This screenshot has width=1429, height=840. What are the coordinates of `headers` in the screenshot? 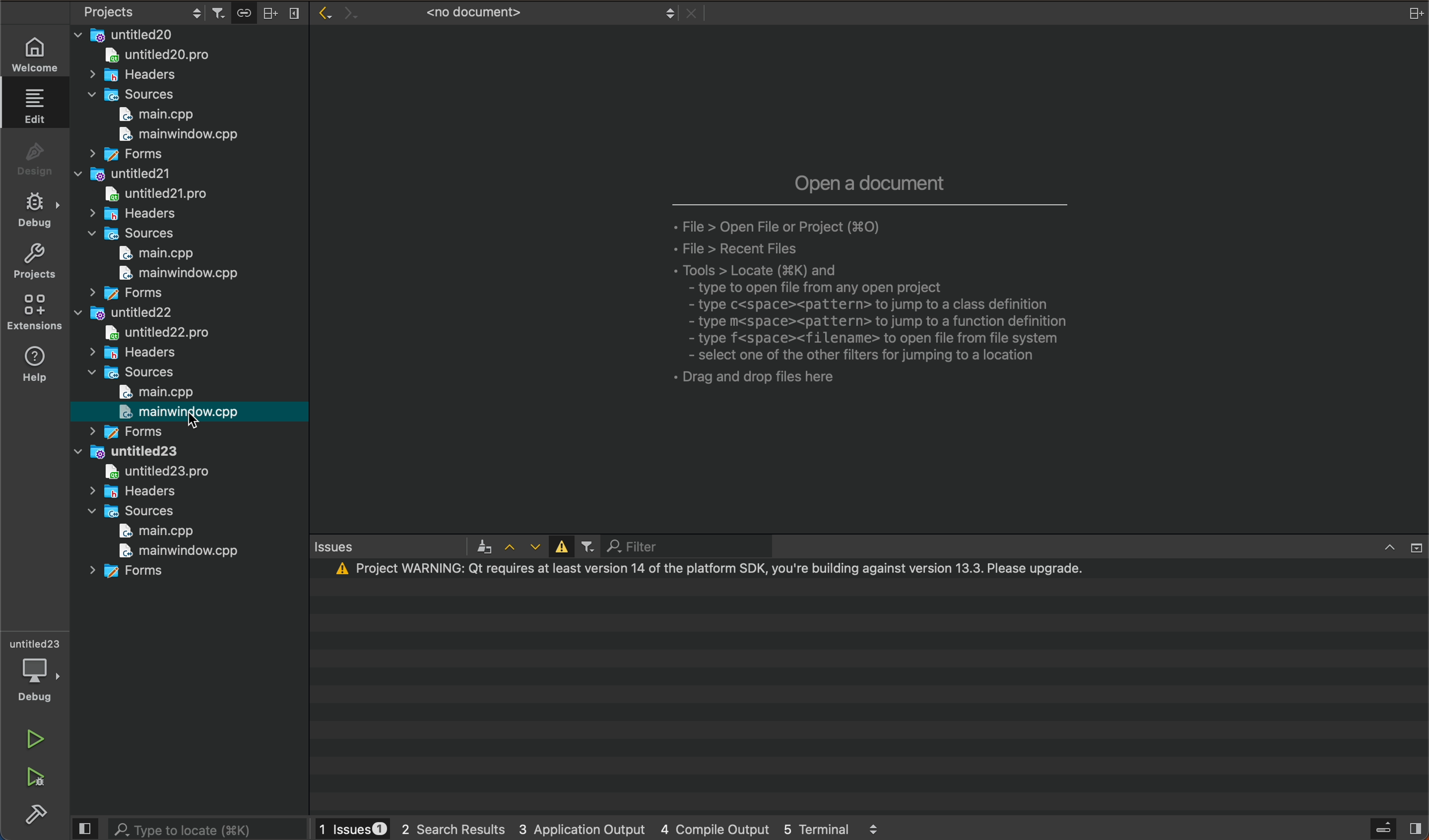 It's located at (130, 353).